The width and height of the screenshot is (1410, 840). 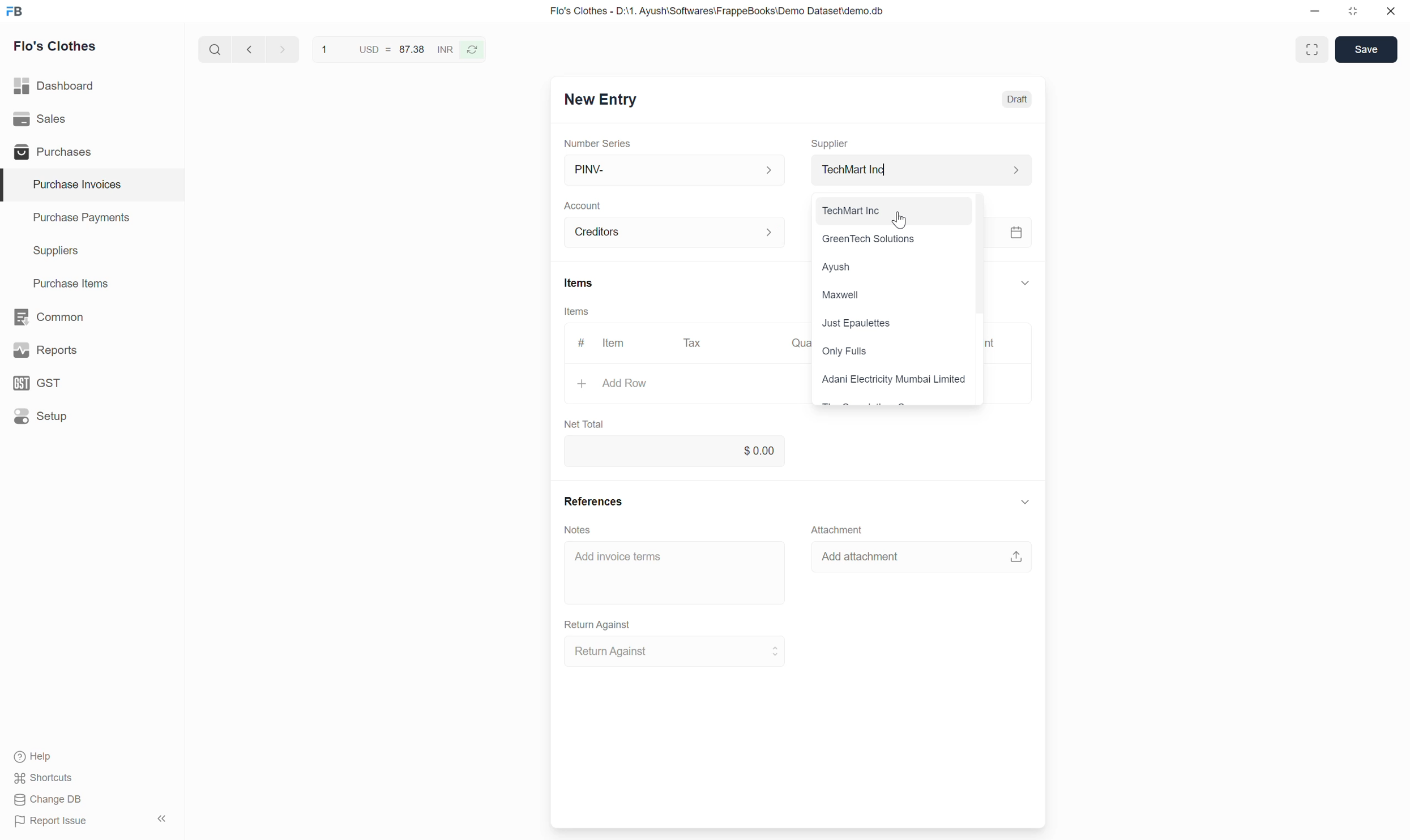 What do you see at coordinates (900, 380) in the screenshot?
I see `Adani Electricity Mumbai Limited` at bounding box center [900, 380].